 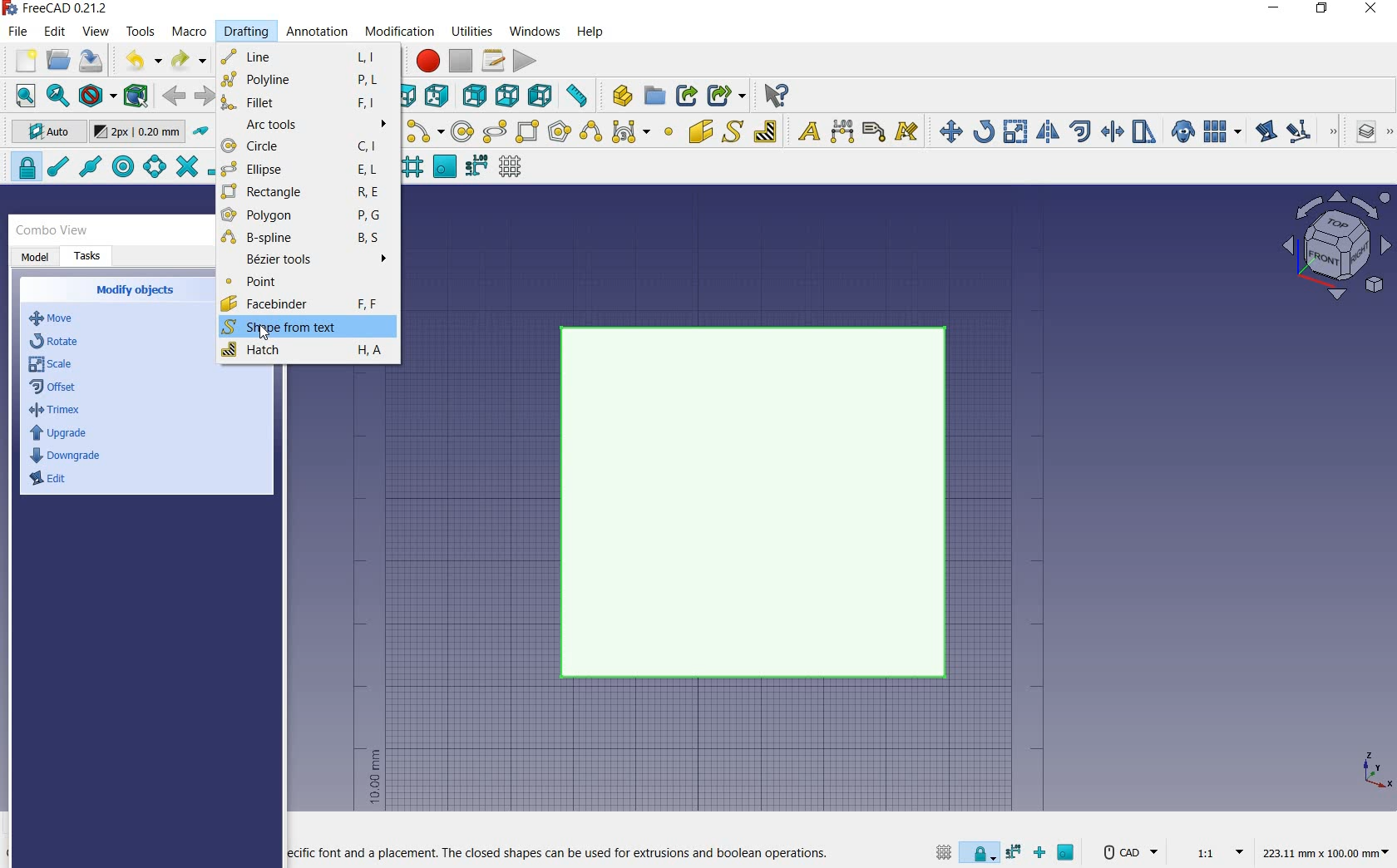 I want to click on ellipse, so click(x=494, y=132).